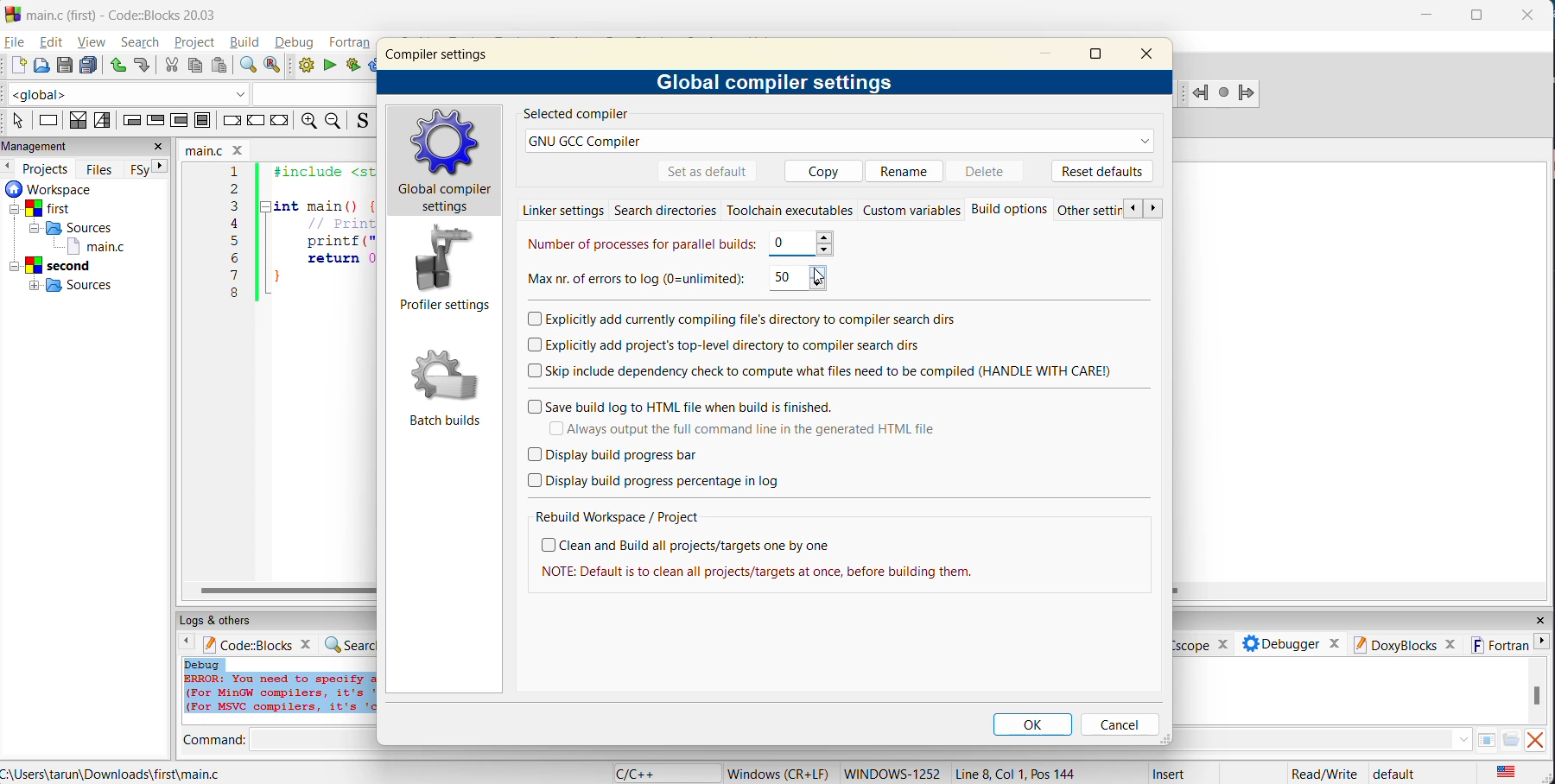  Describe the element at coordinates (75, 242) in the screenshot. I see `workspaces` at that location.